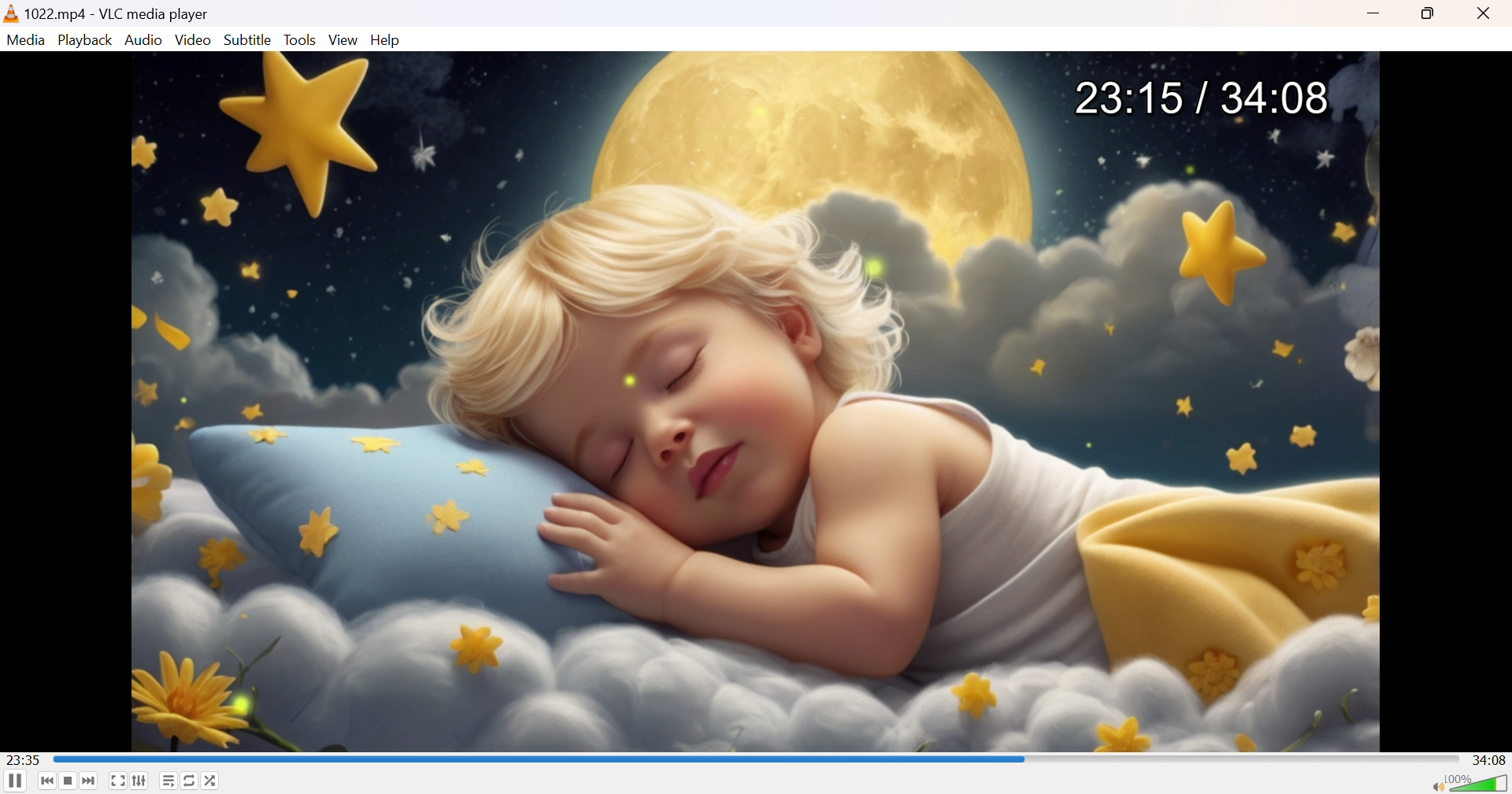 The height and width of the screenshot is (794, 1512). What do you see at coordinates (211, 779) in the screenshot?
I see `Random` at bounding box center [211, 779].